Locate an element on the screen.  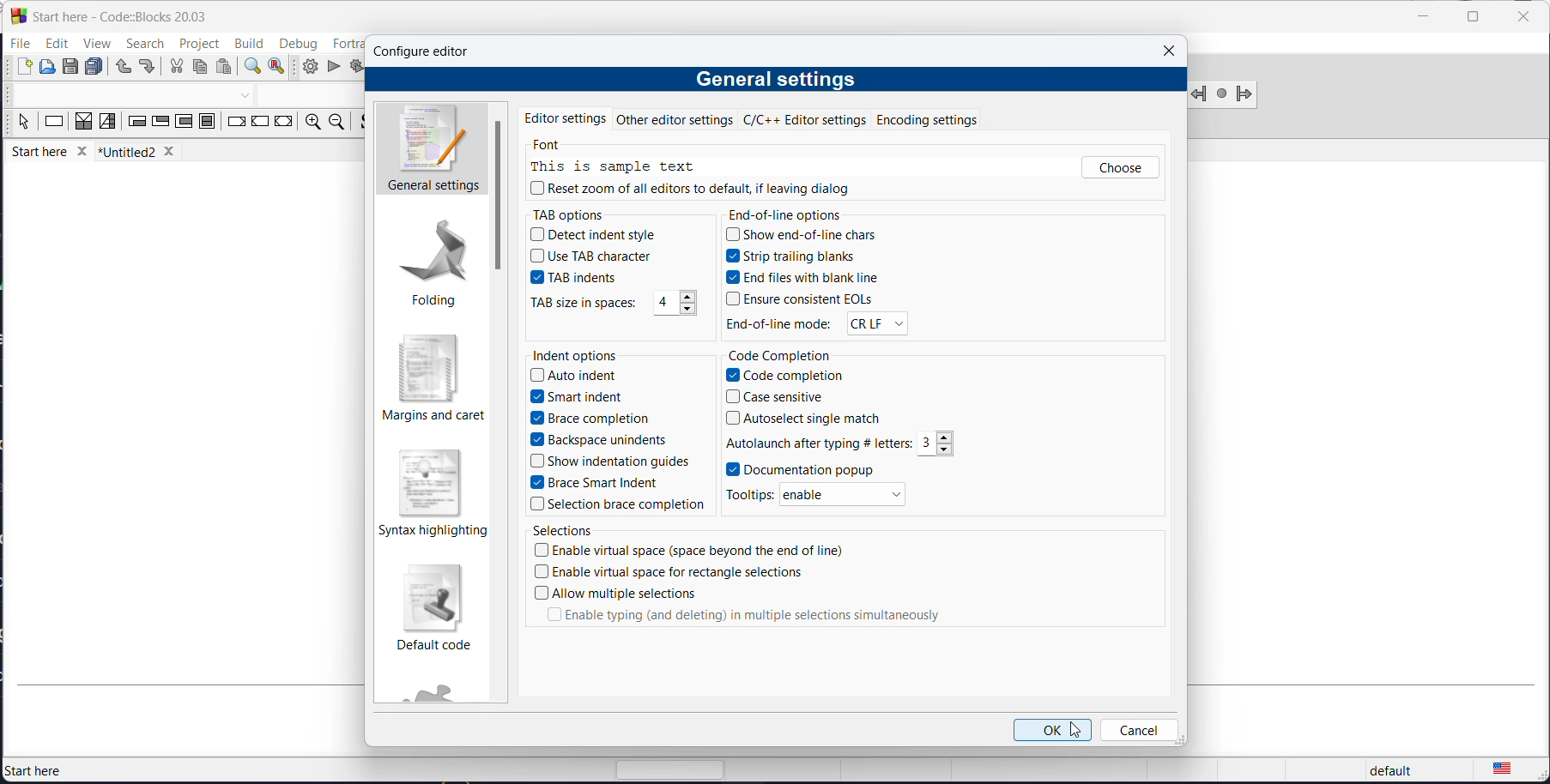
Debug is located at coordinates (298, 41).